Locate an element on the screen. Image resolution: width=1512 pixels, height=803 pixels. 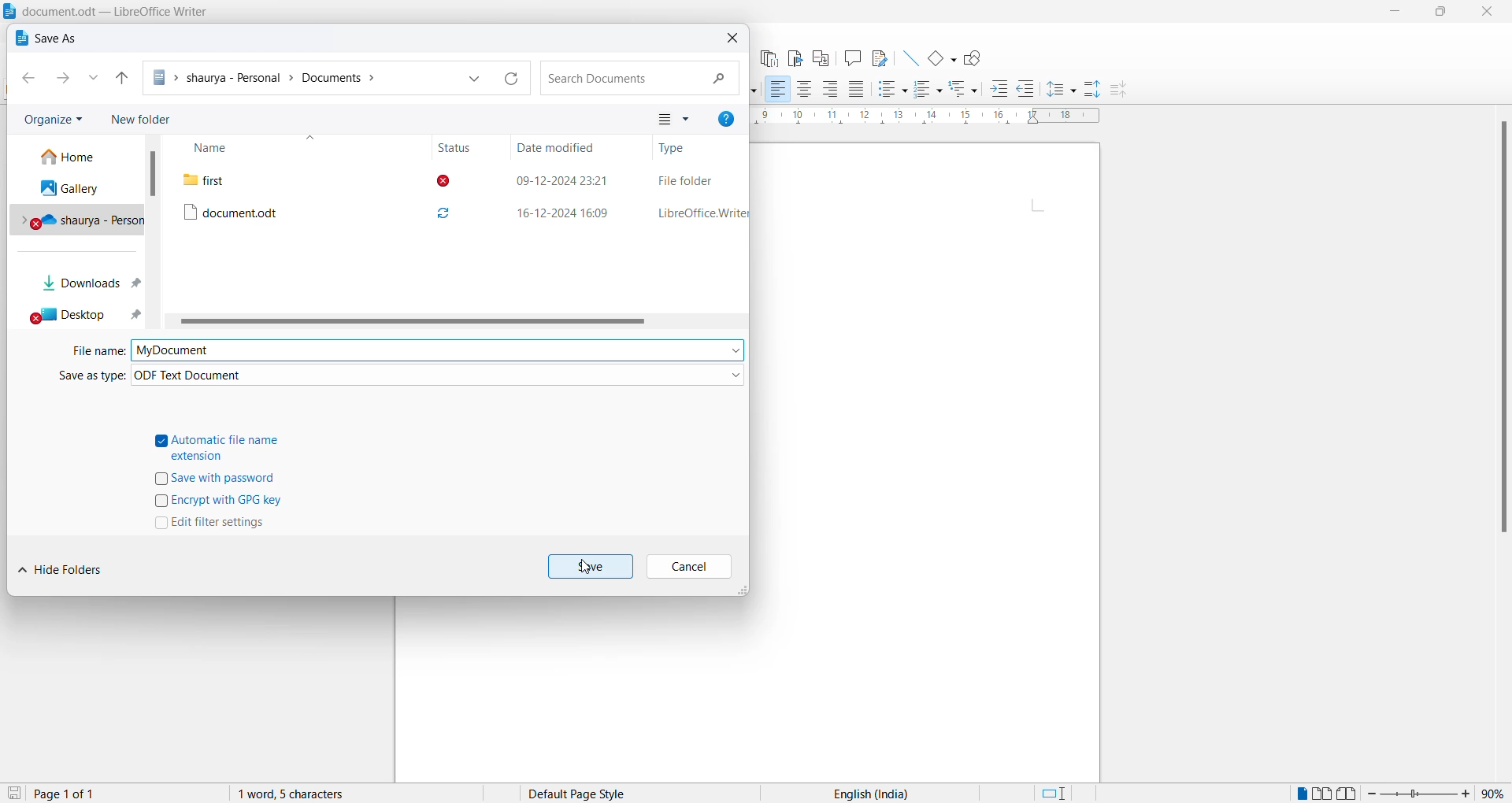
Desktop is located at coordinates (83, 318).